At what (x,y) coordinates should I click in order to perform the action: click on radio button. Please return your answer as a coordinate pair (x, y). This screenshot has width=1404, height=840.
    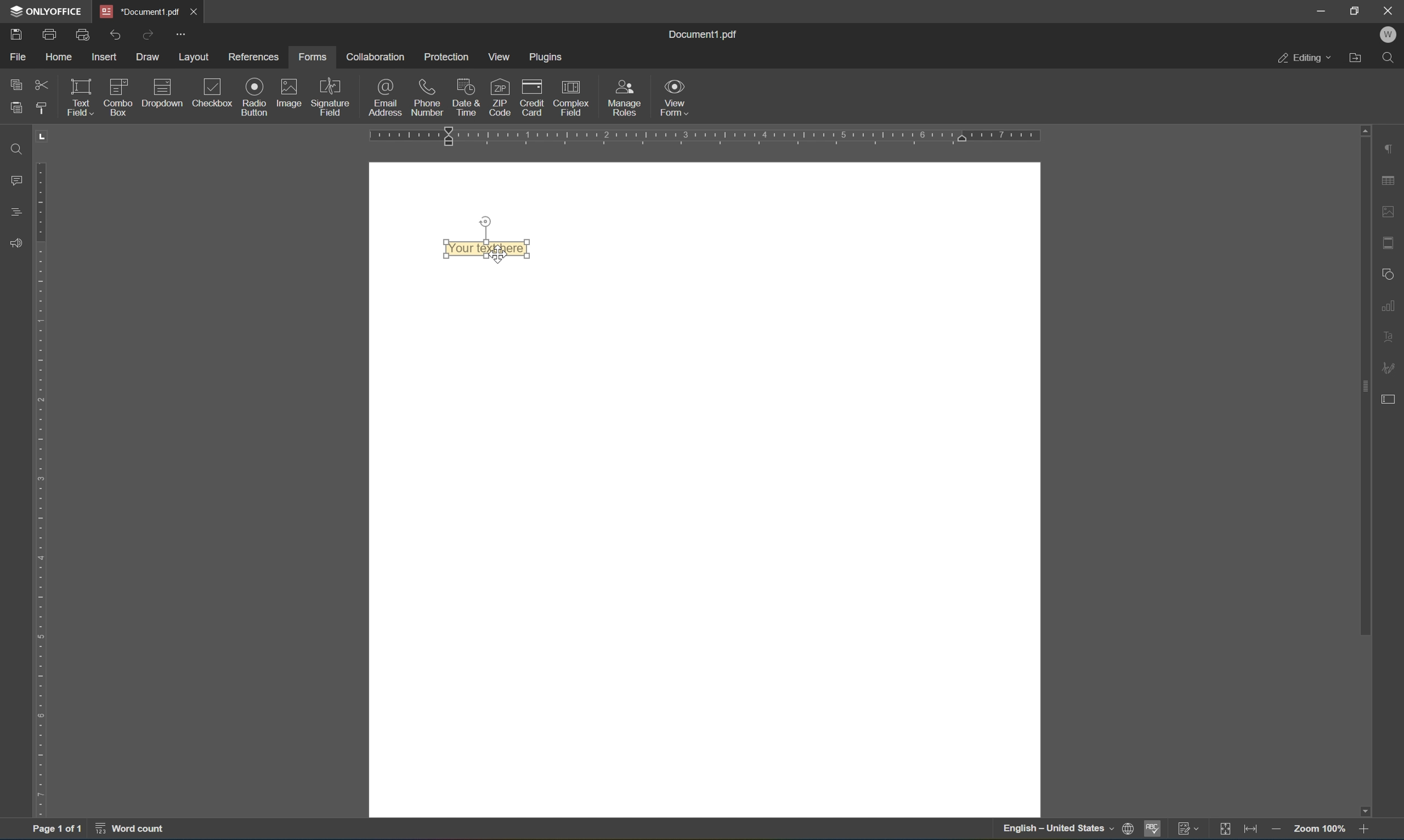
    Looking at the image, I should click on (254, 96).